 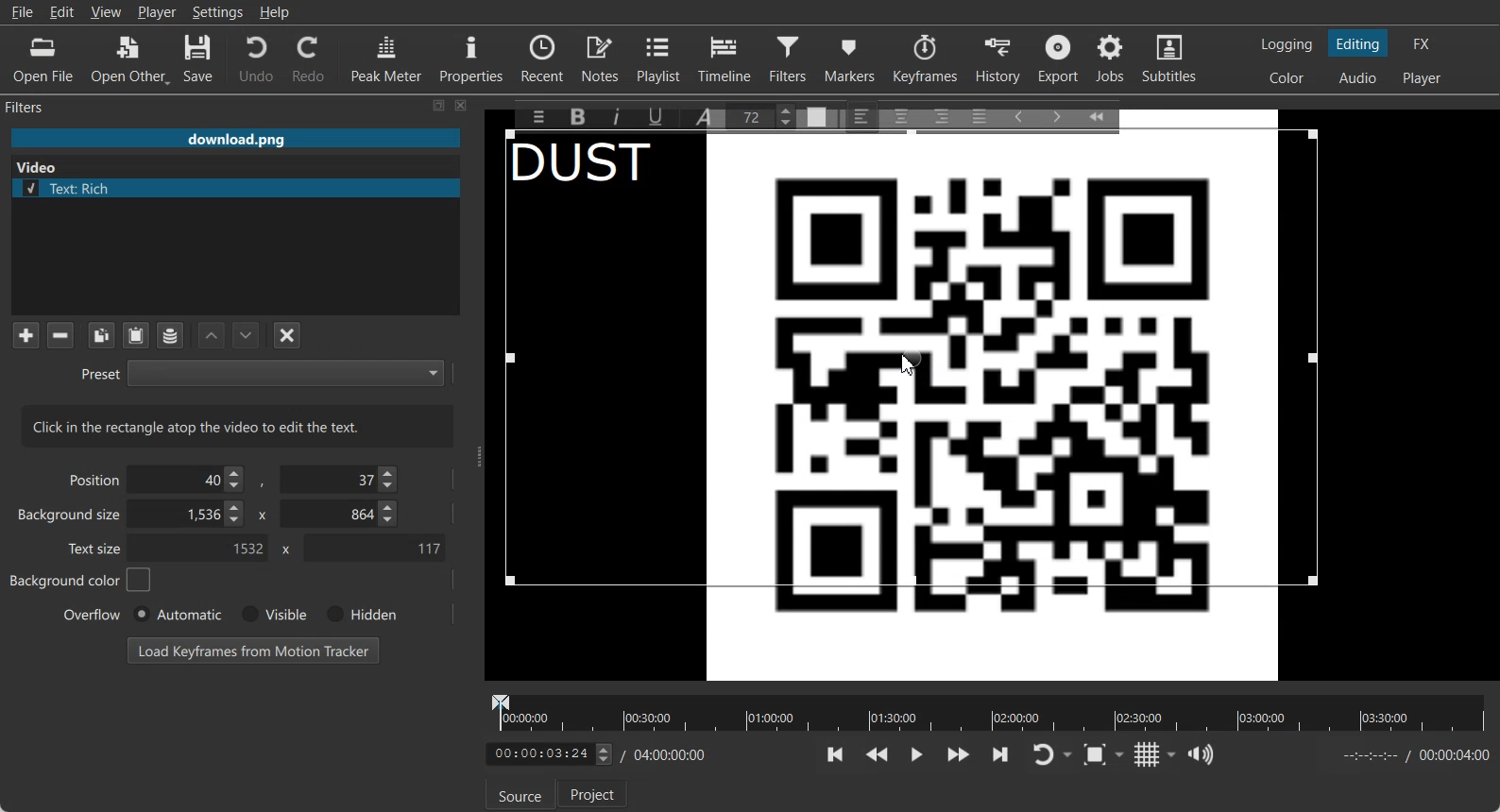 What do you see at coordinates (1018, 115) in the screenshot?
I see `Decrease Indent` at bounding box center [1018, 115].